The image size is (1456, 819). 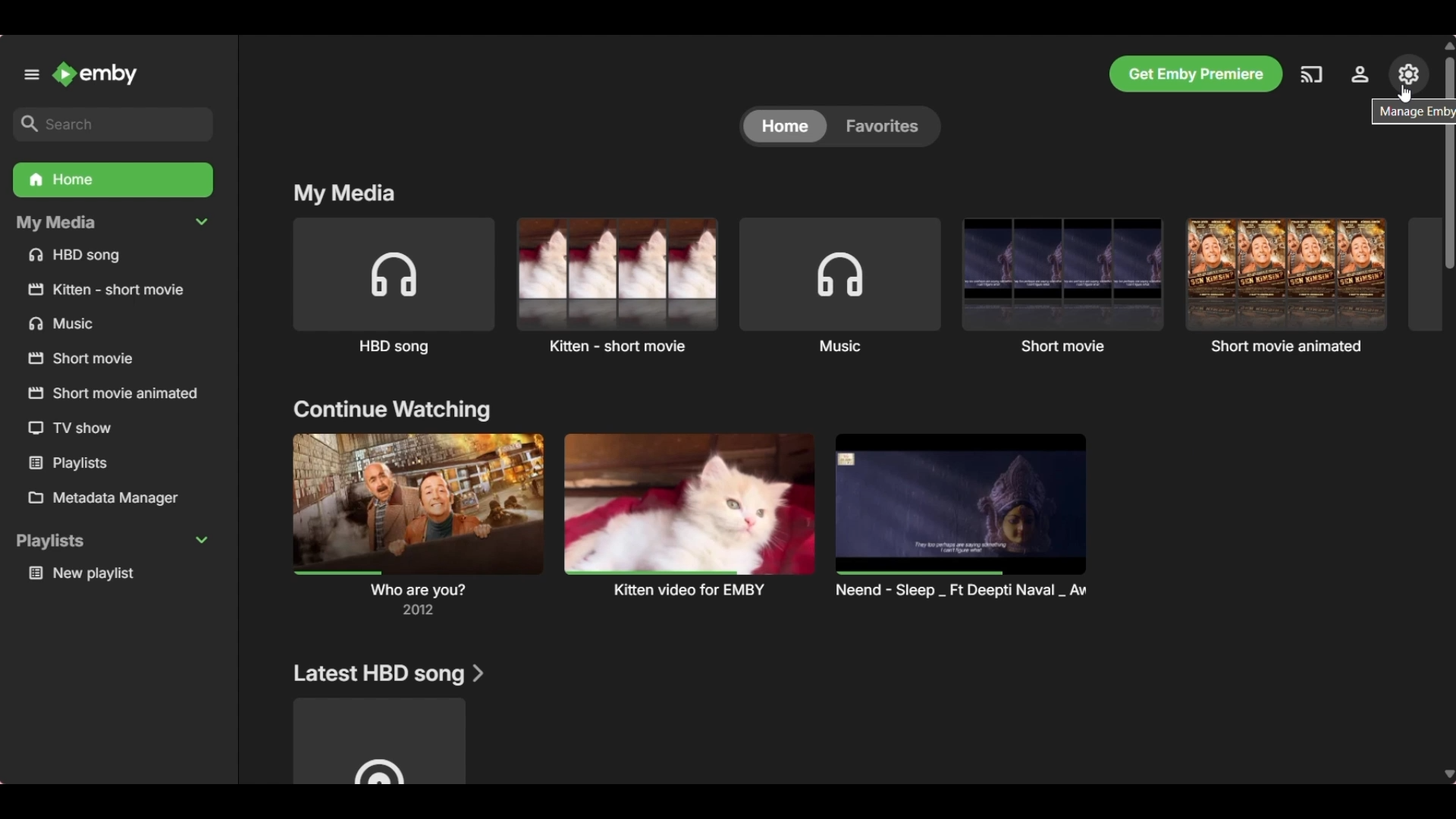 I want to click on Play on another device, so click(x=1311, y=74).